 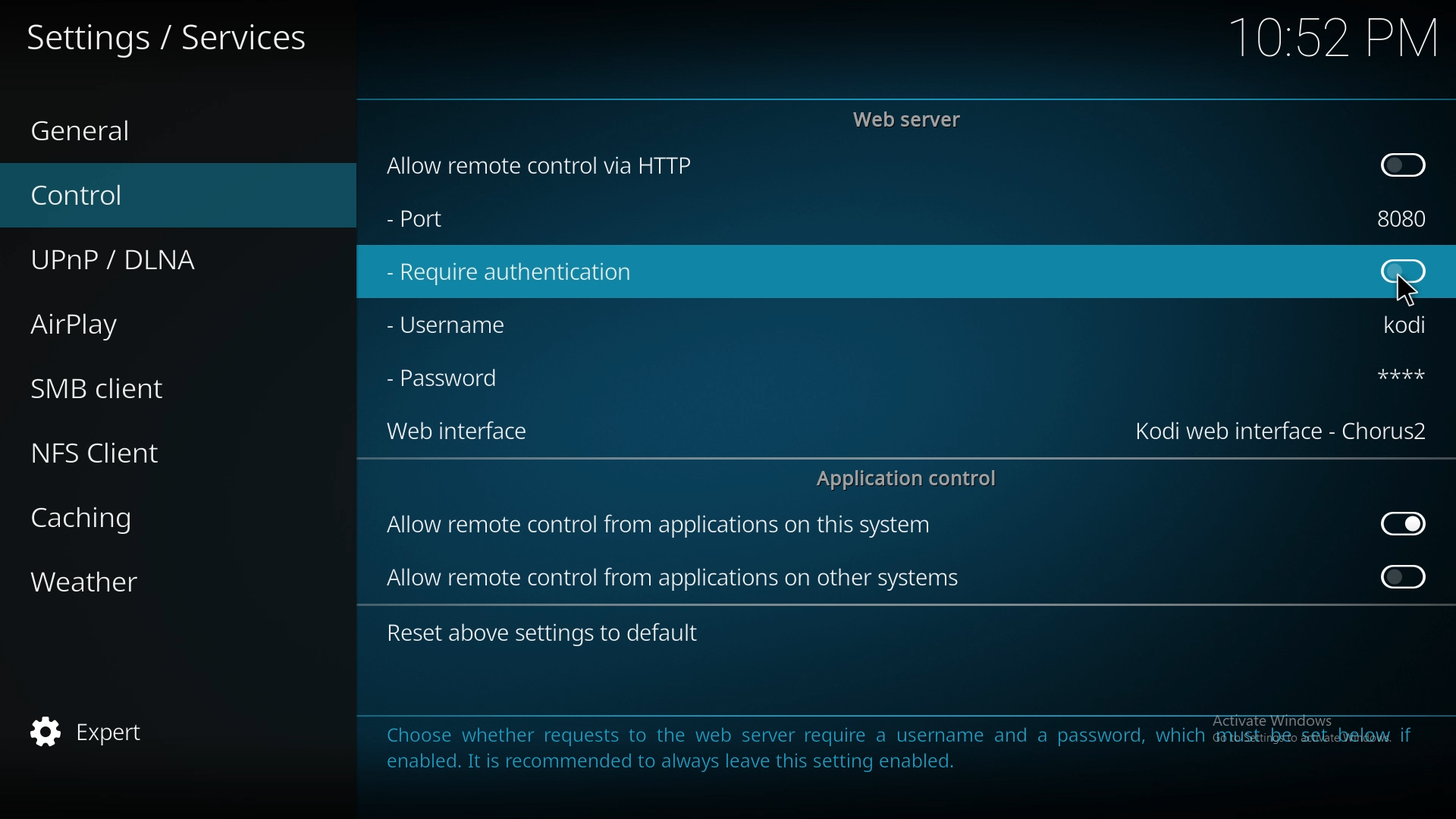 I want to click on require authentication, so click(x=511, y=273).